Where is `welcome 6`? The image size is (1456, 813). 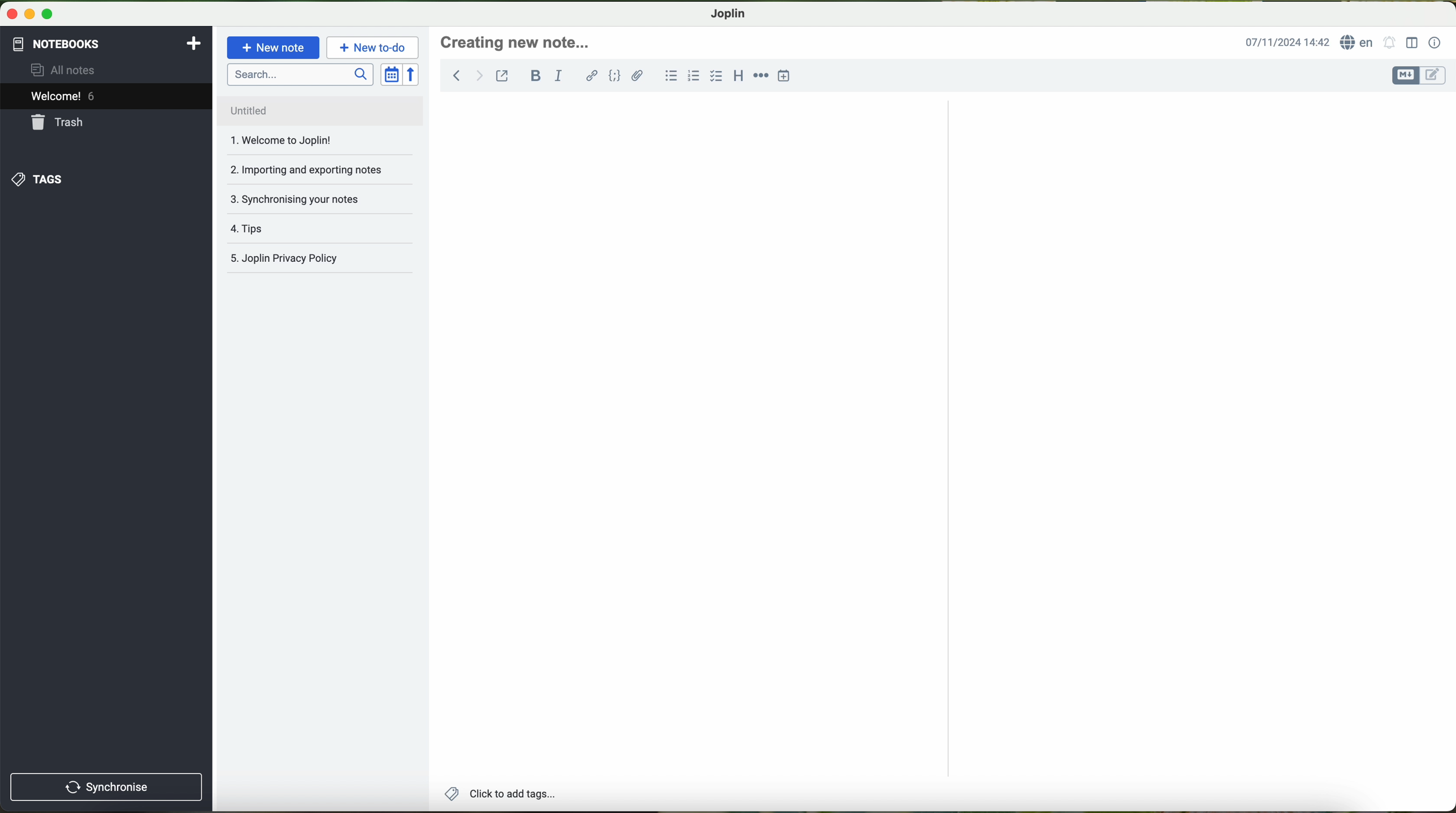
welcome 6 is located at coordinates (110, 96).